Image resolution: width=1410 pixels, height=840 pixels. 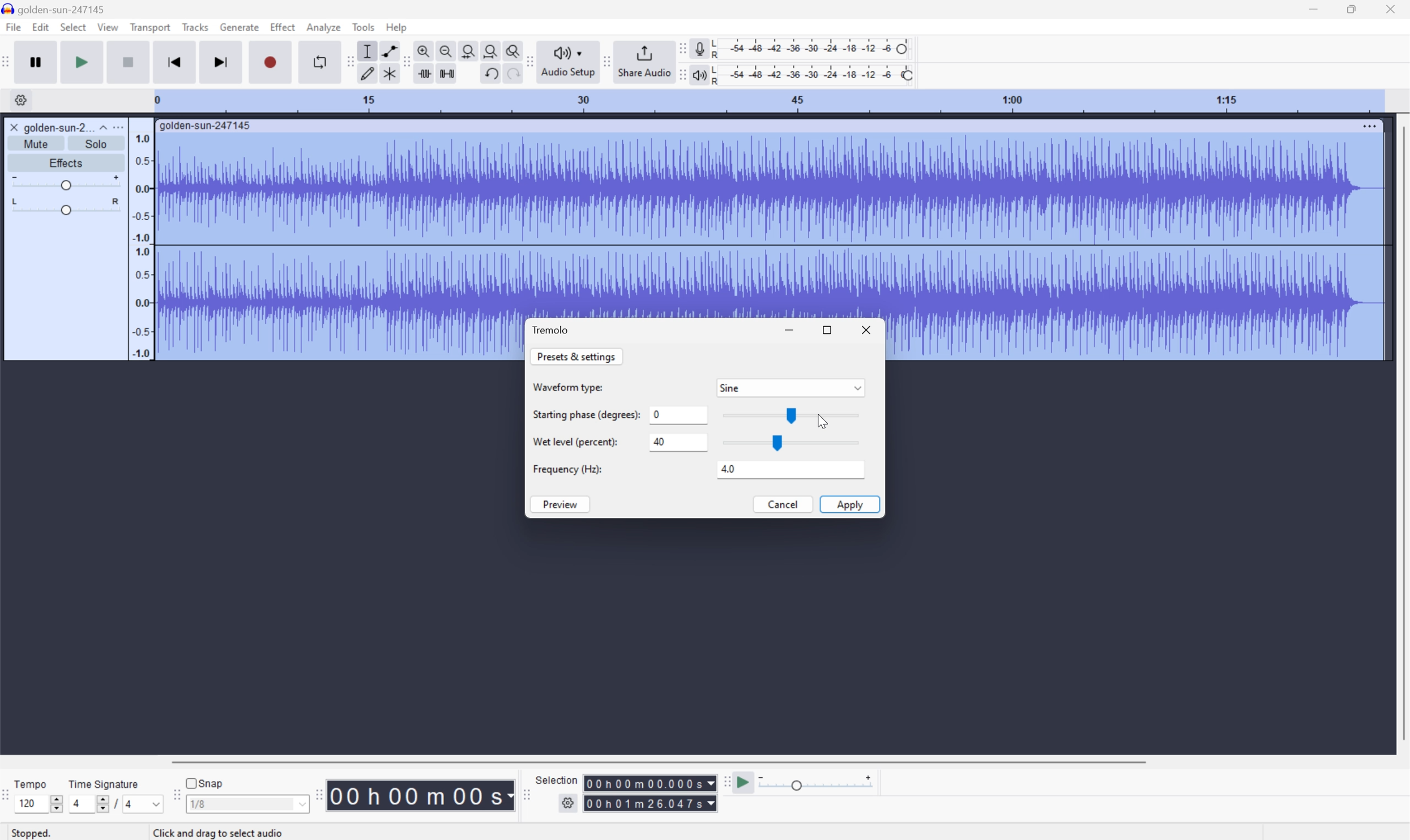 I want to click on Playback meter, so click(x=700, y=74).